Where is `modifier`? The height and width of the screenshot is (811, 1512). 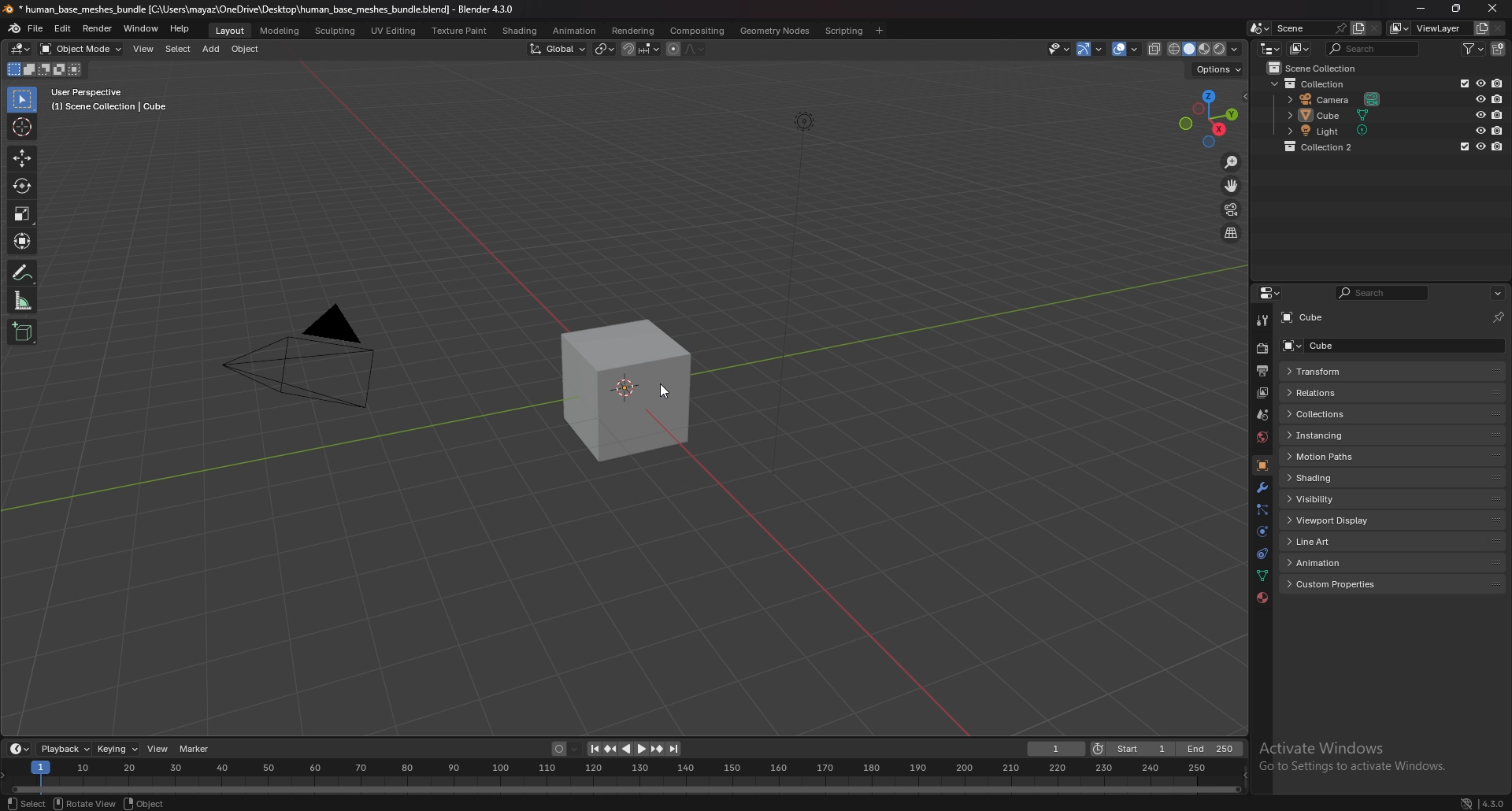 modifier is located at coordinates (1262, 489).